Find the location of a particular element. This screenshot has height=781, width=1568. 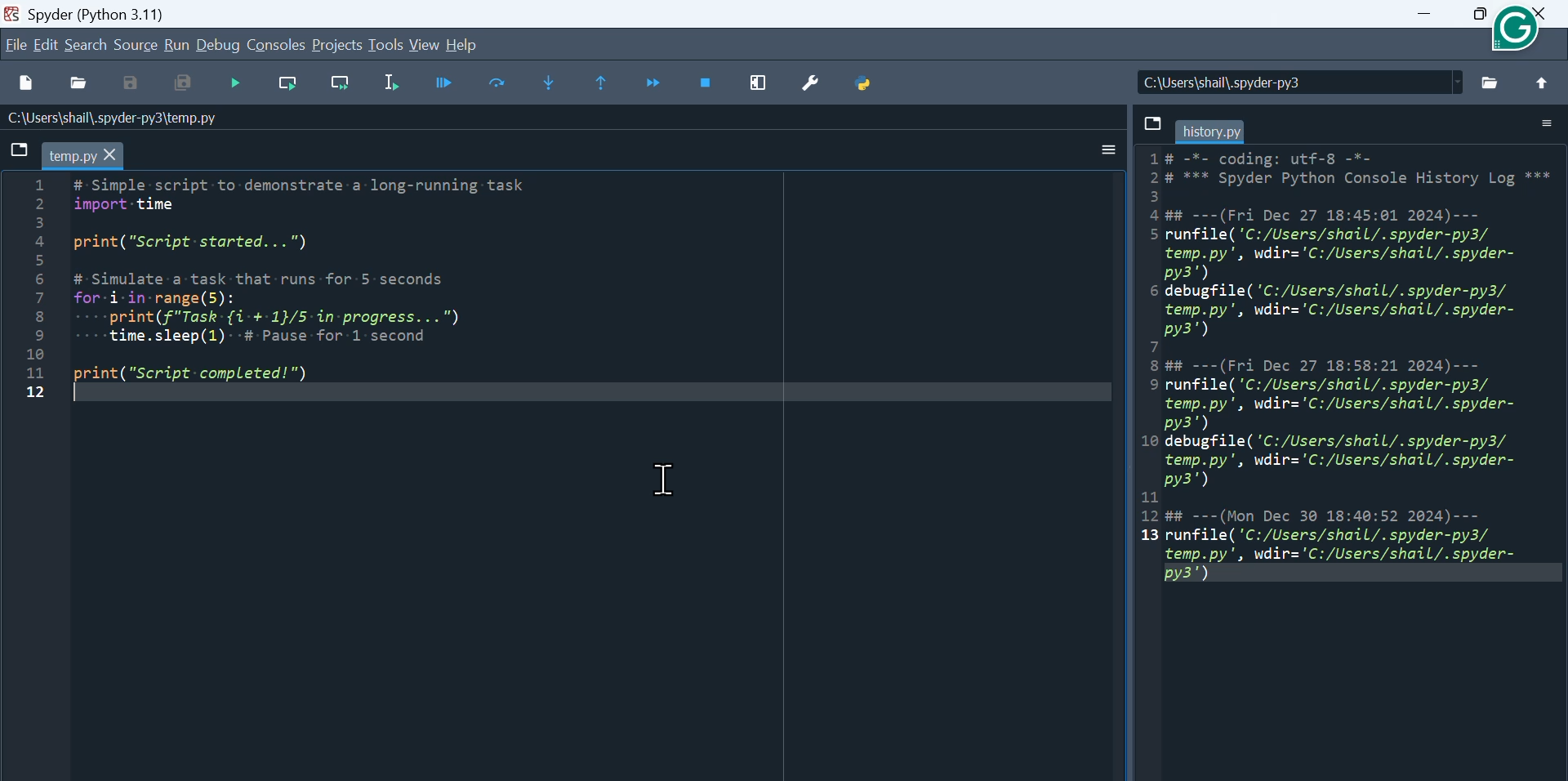

Run current cell is located at coordinates (494, 82).